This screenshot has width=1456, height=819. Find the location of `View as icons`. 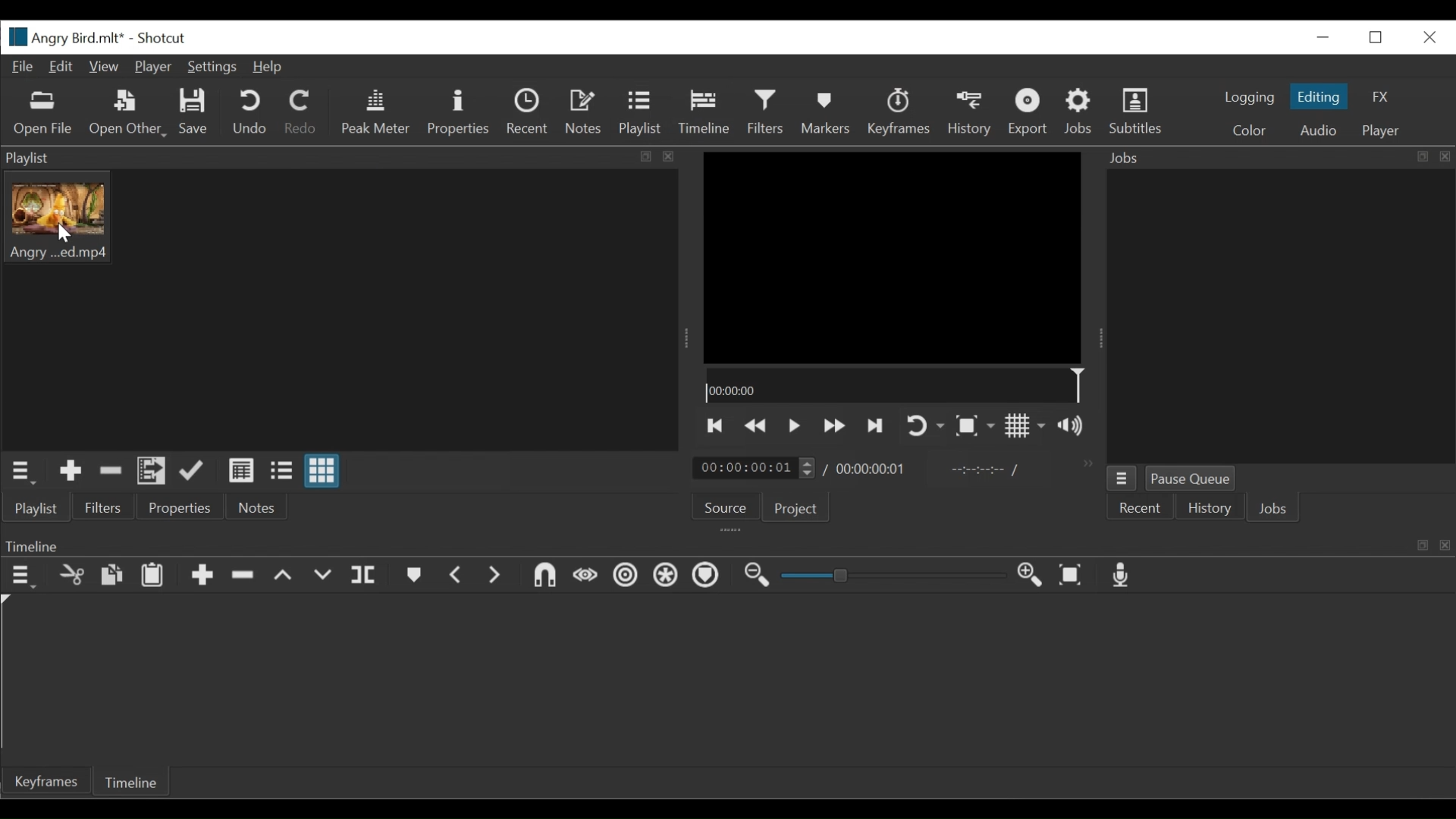

View as icons is located at coordinates (321, 472).